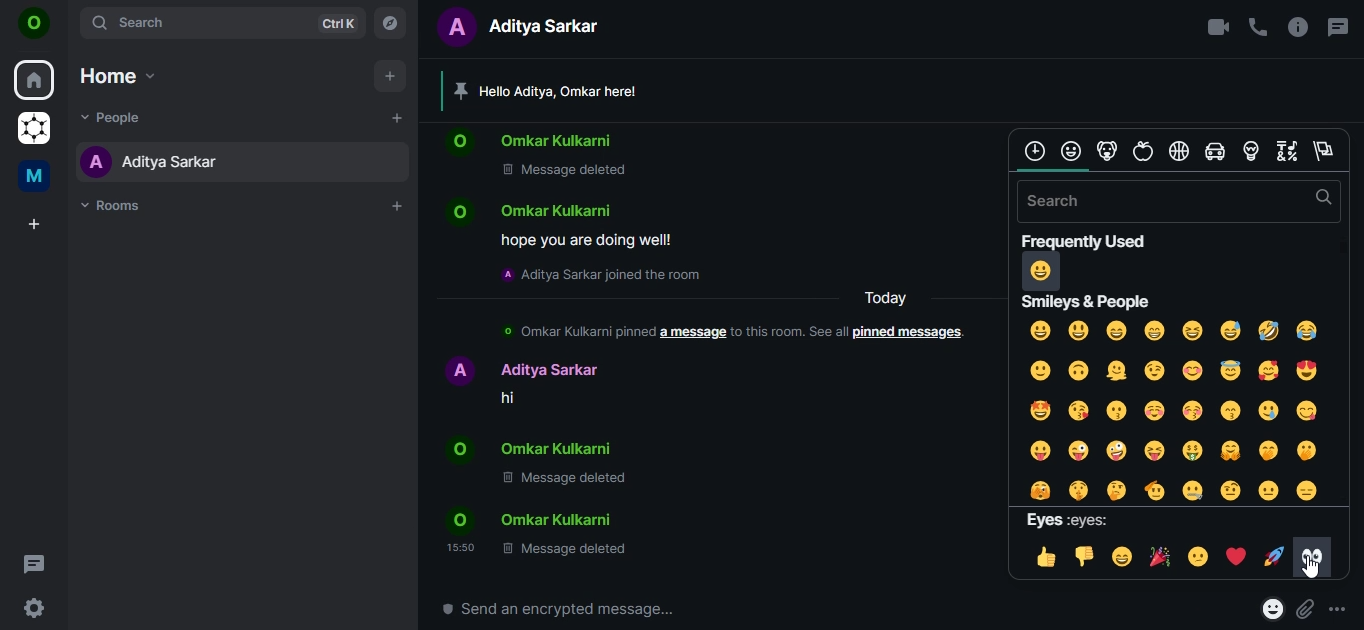  Describe the element at coordinates (1341, 610) in the screenshot. I see `more options` at that location.